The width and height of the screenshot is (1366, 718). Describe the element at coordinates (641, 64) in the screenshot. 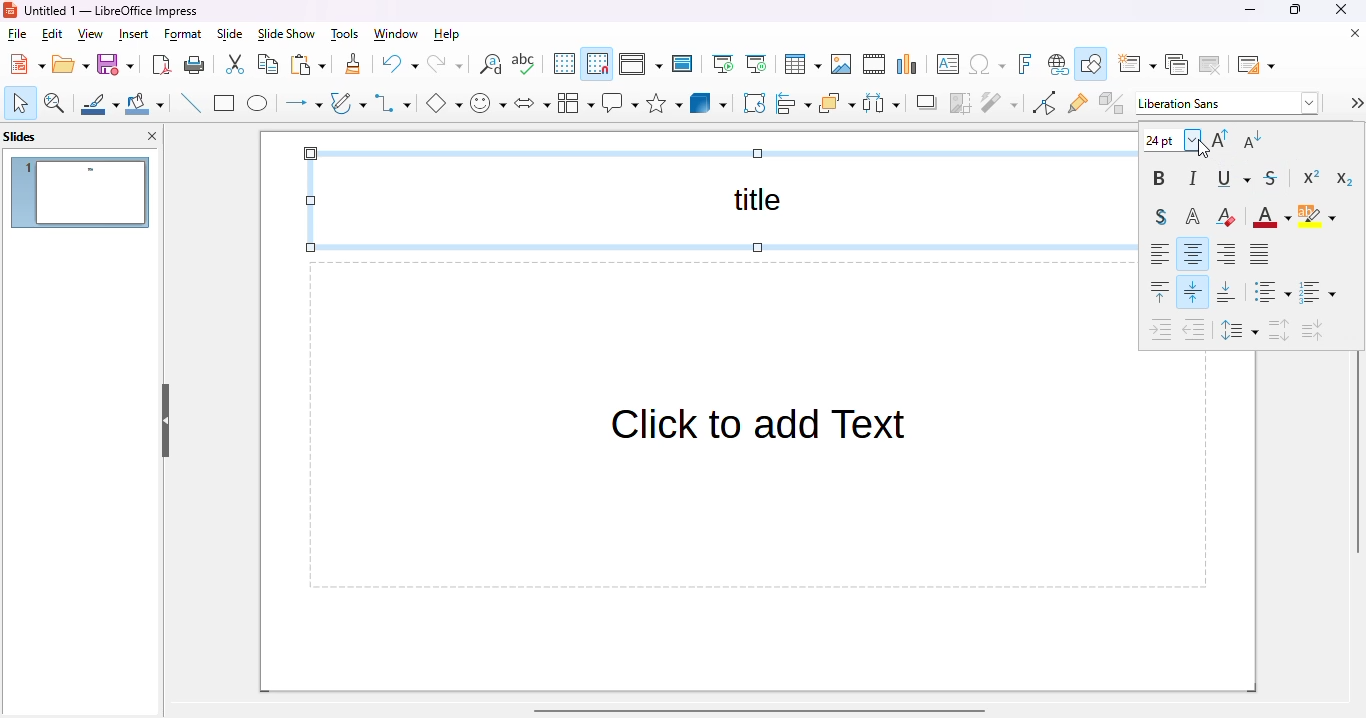

I see `display views` at that location.